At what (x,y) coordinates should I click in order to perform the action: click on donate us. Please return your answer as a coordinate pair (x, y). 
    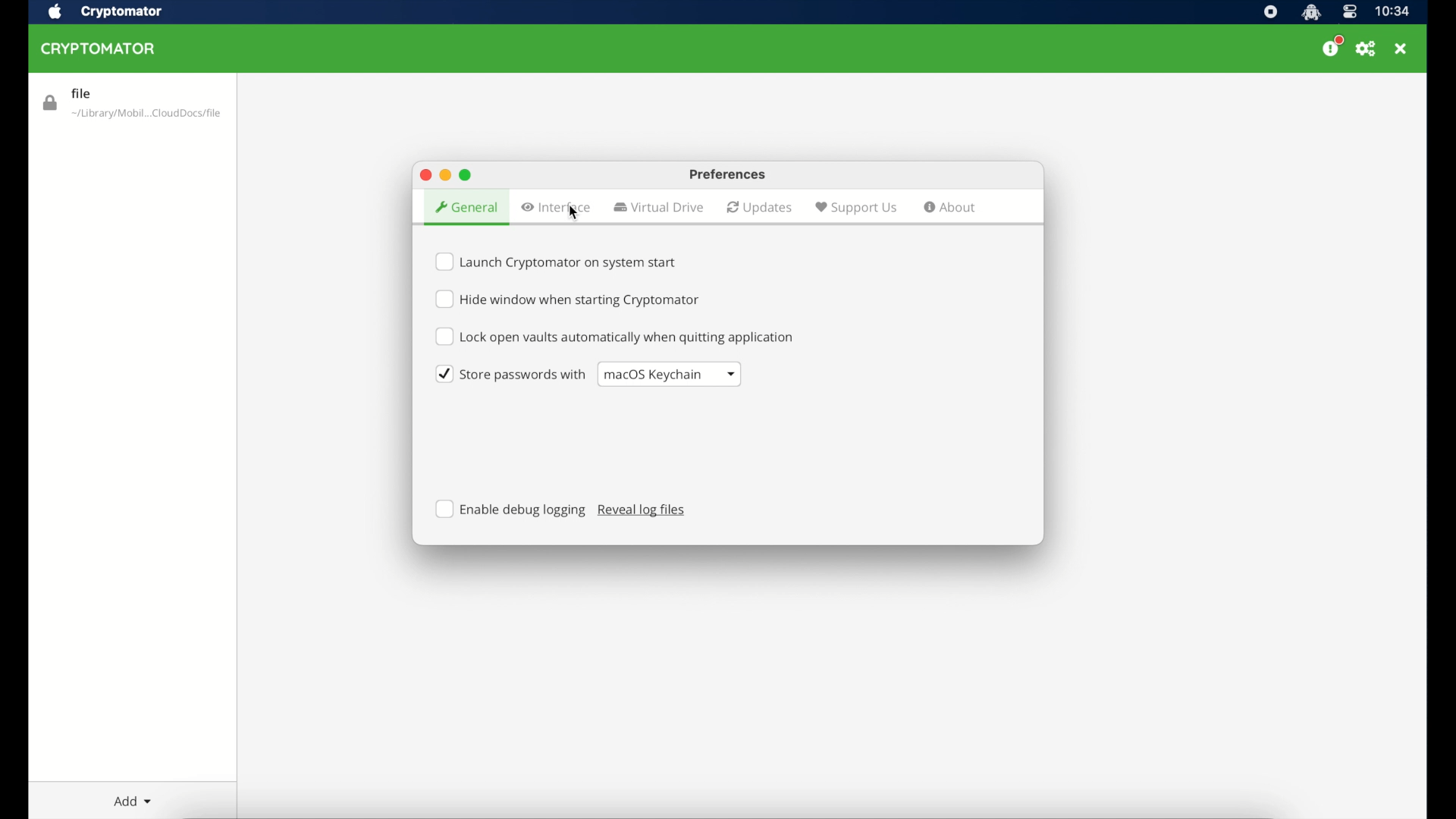
    Looking at the image, I should click on (1332, 48).